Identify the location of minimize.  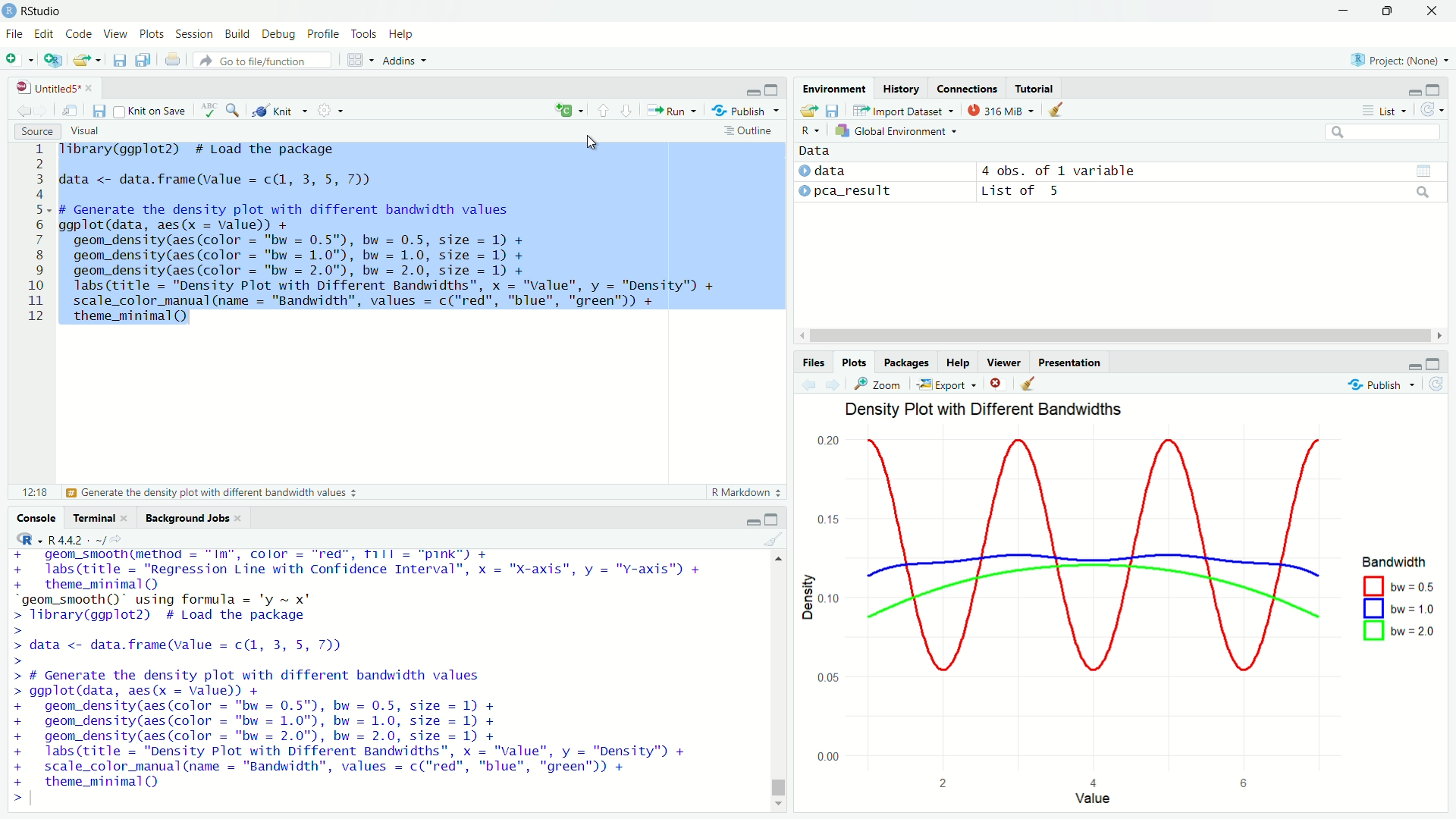
(1413, 93).